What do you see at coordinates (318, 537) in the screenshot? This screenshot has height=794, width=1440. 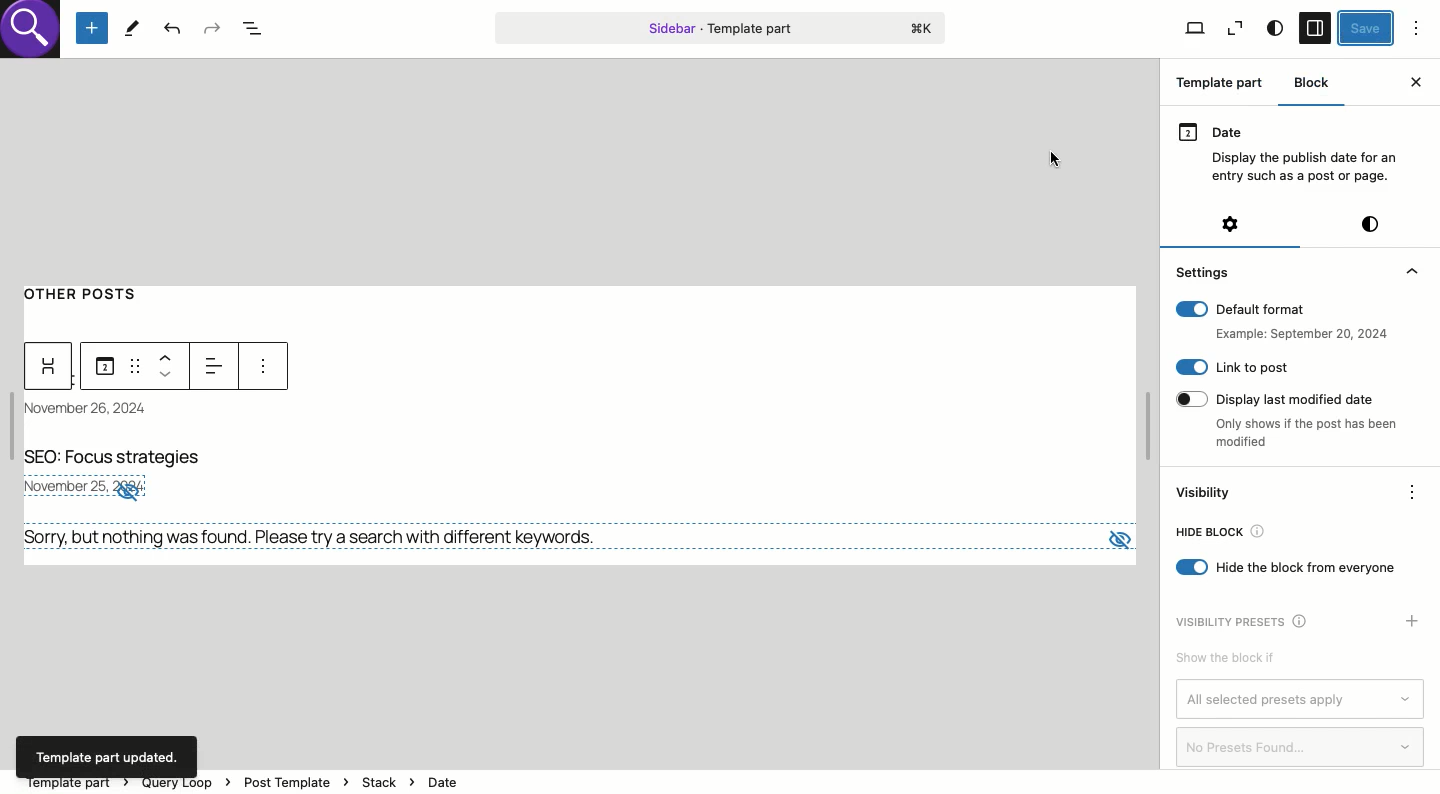 I see `No results` at bounding box center [318, 537].